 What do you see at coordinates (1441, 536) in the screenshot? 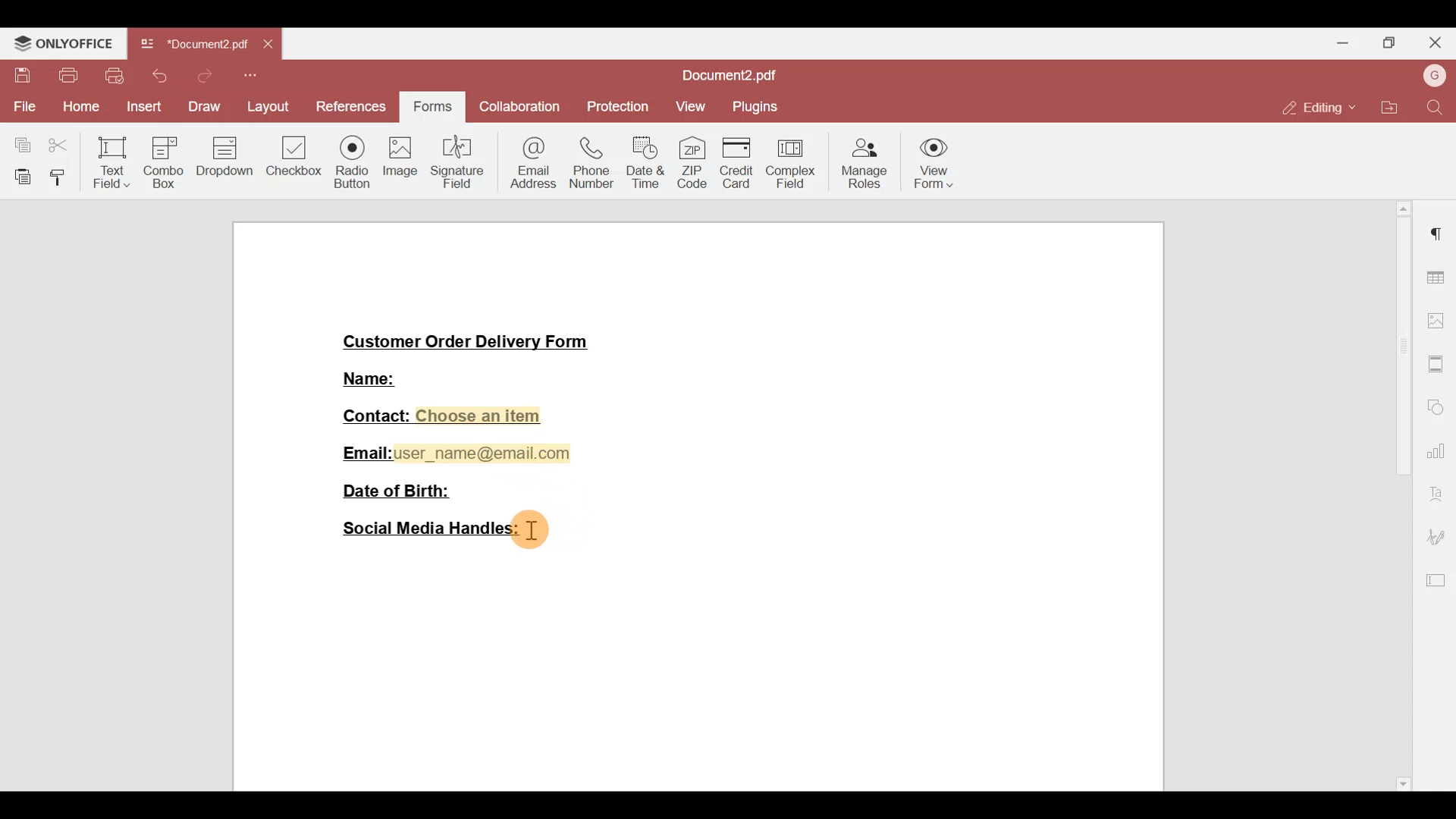
I see `Signature settings` at bounding box center [1441, 536].